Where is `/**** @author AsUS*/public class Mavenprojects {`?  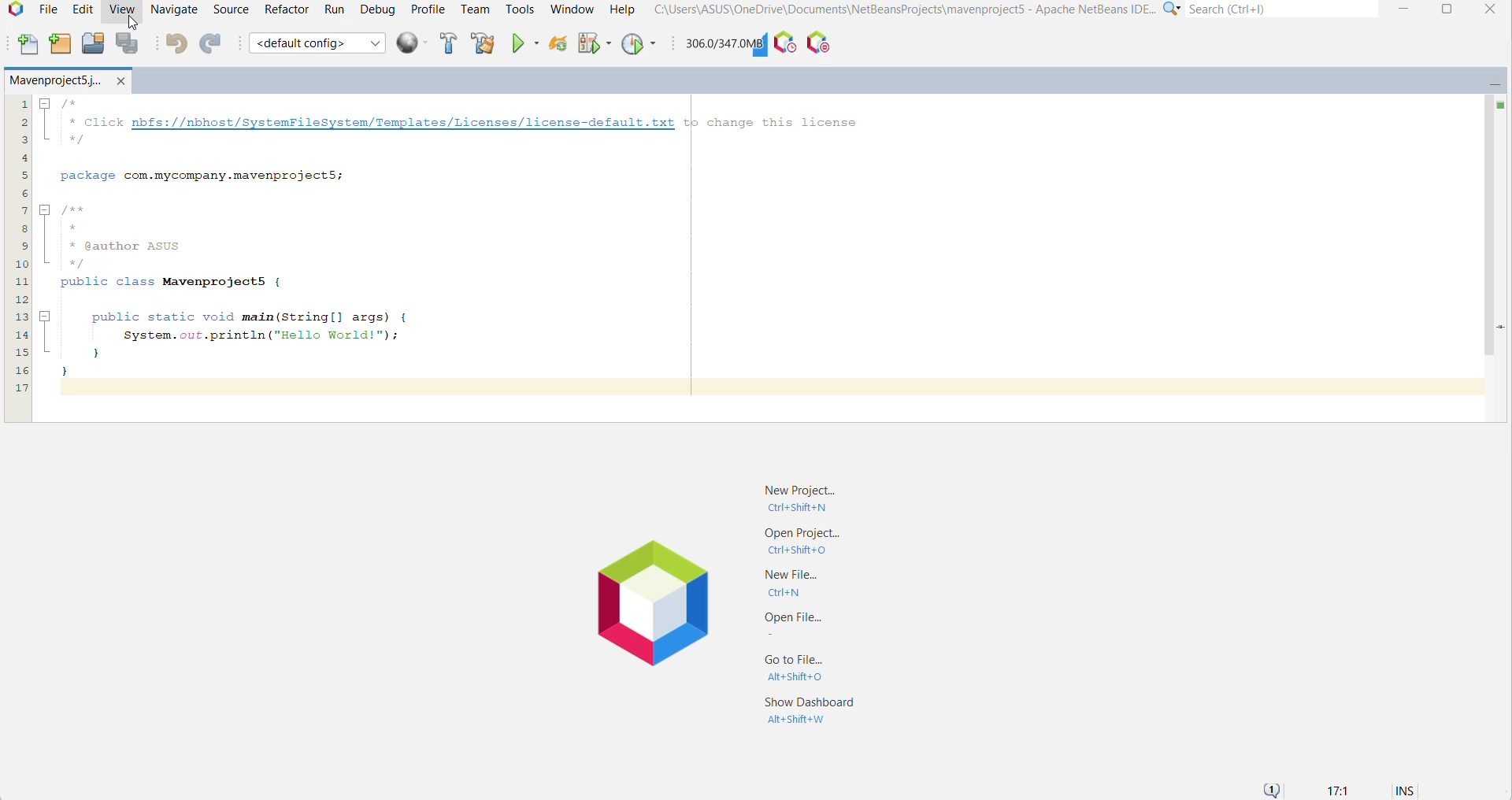
/**** @author AsUS*/public class Mavenprojects { is located at coordinates (190, 247).